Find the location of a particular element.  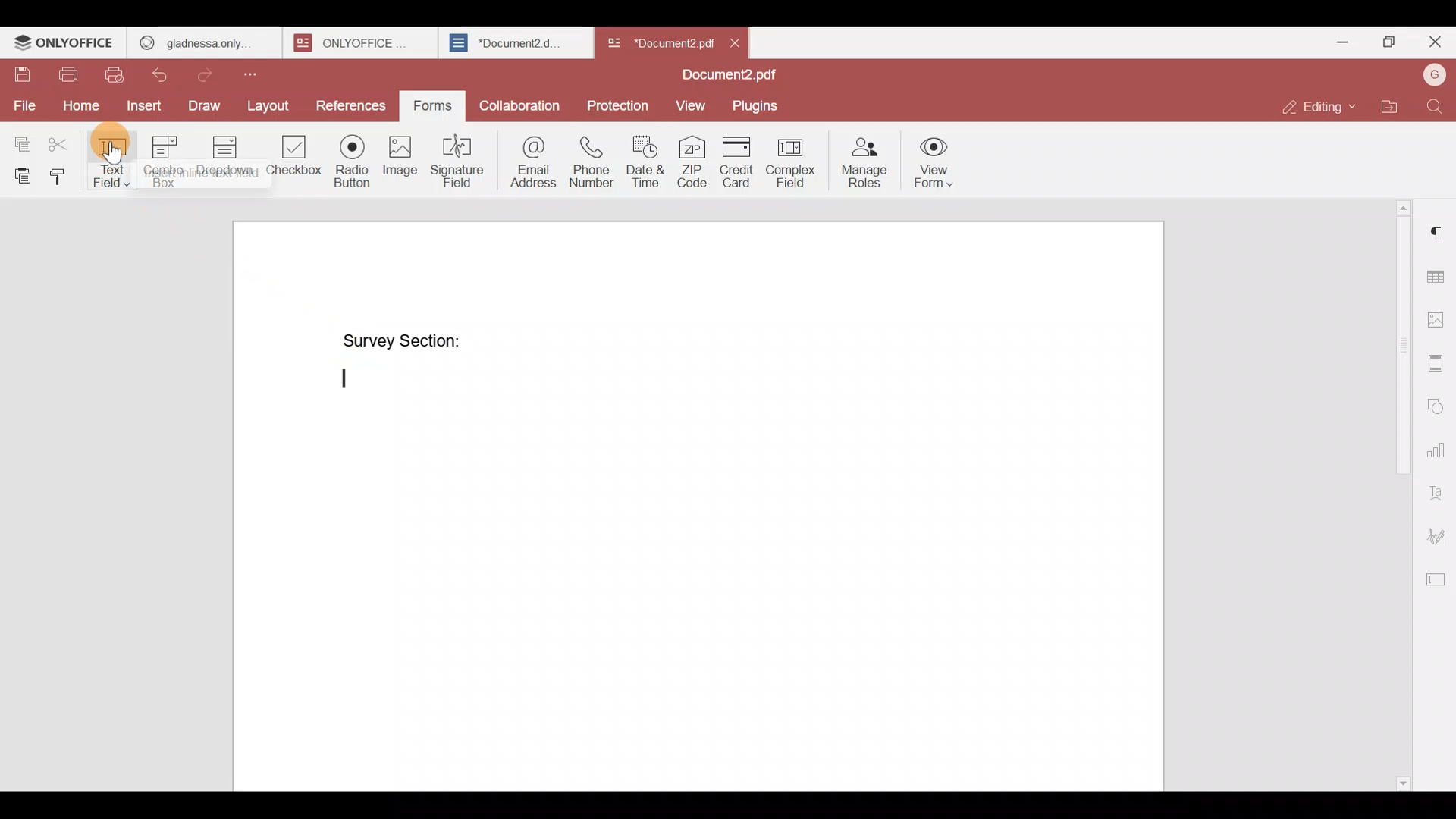

Credit card is located at coordinates (739, 162).